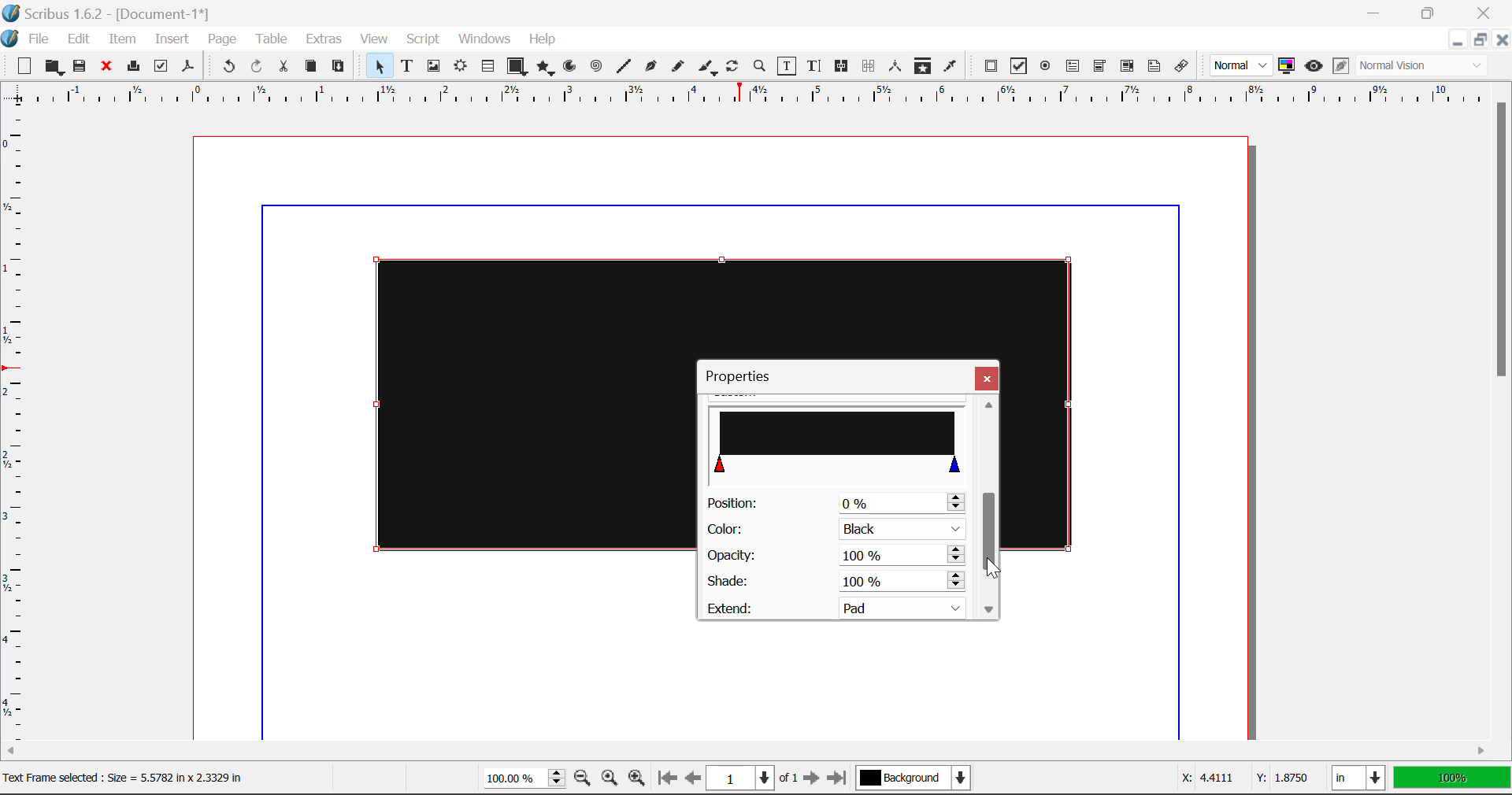  Describe the element at coordinates (1241, 65) in the screenshot. I see `Preview Mode` at that location.